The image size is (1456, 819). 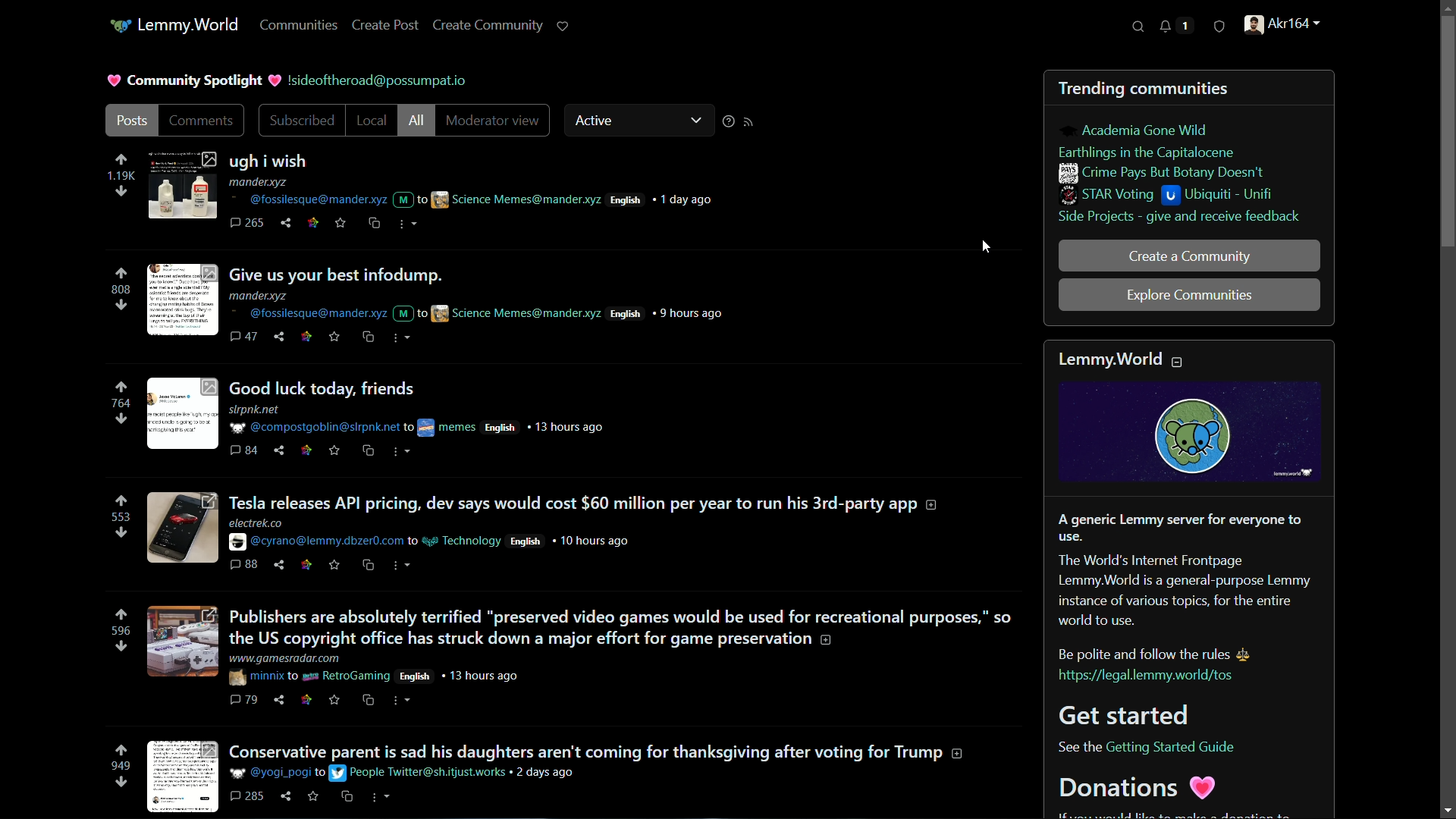 I want to click on thumbnail, so click(x=184, y=297).